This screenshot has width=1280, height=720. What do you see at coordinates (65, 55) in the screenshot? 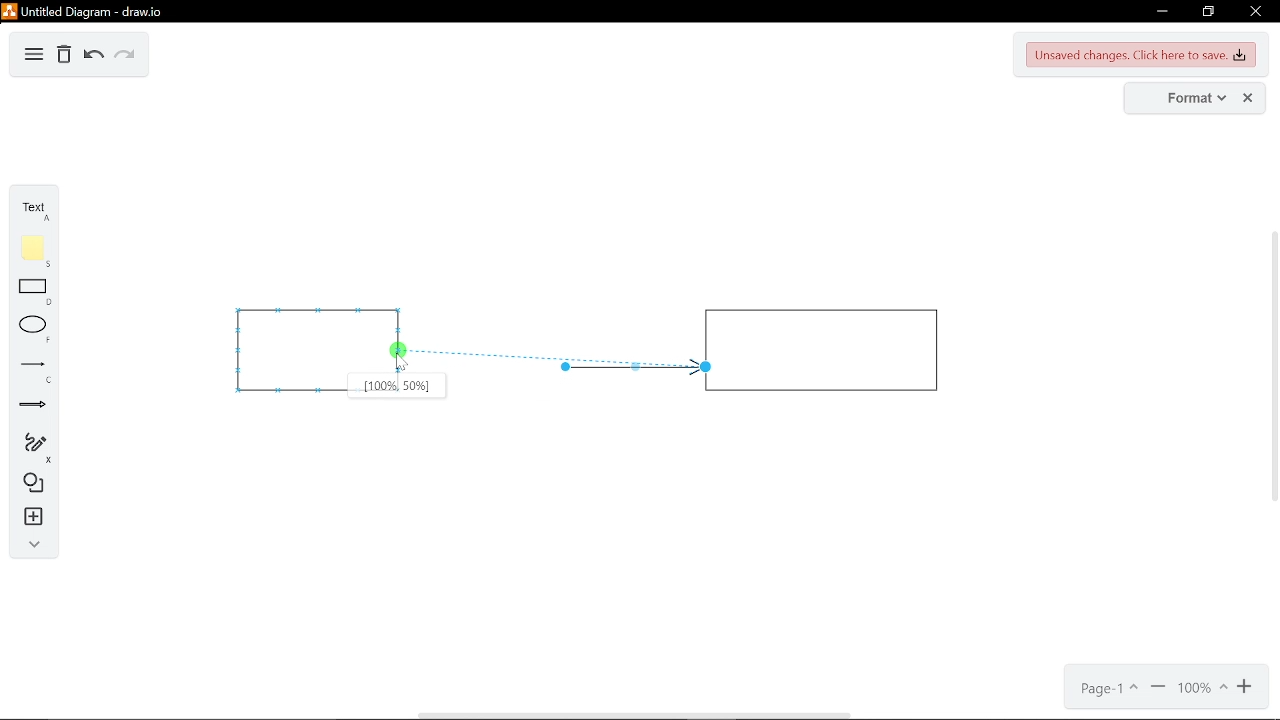
I see `Delete` at bounding box center [65, 55].